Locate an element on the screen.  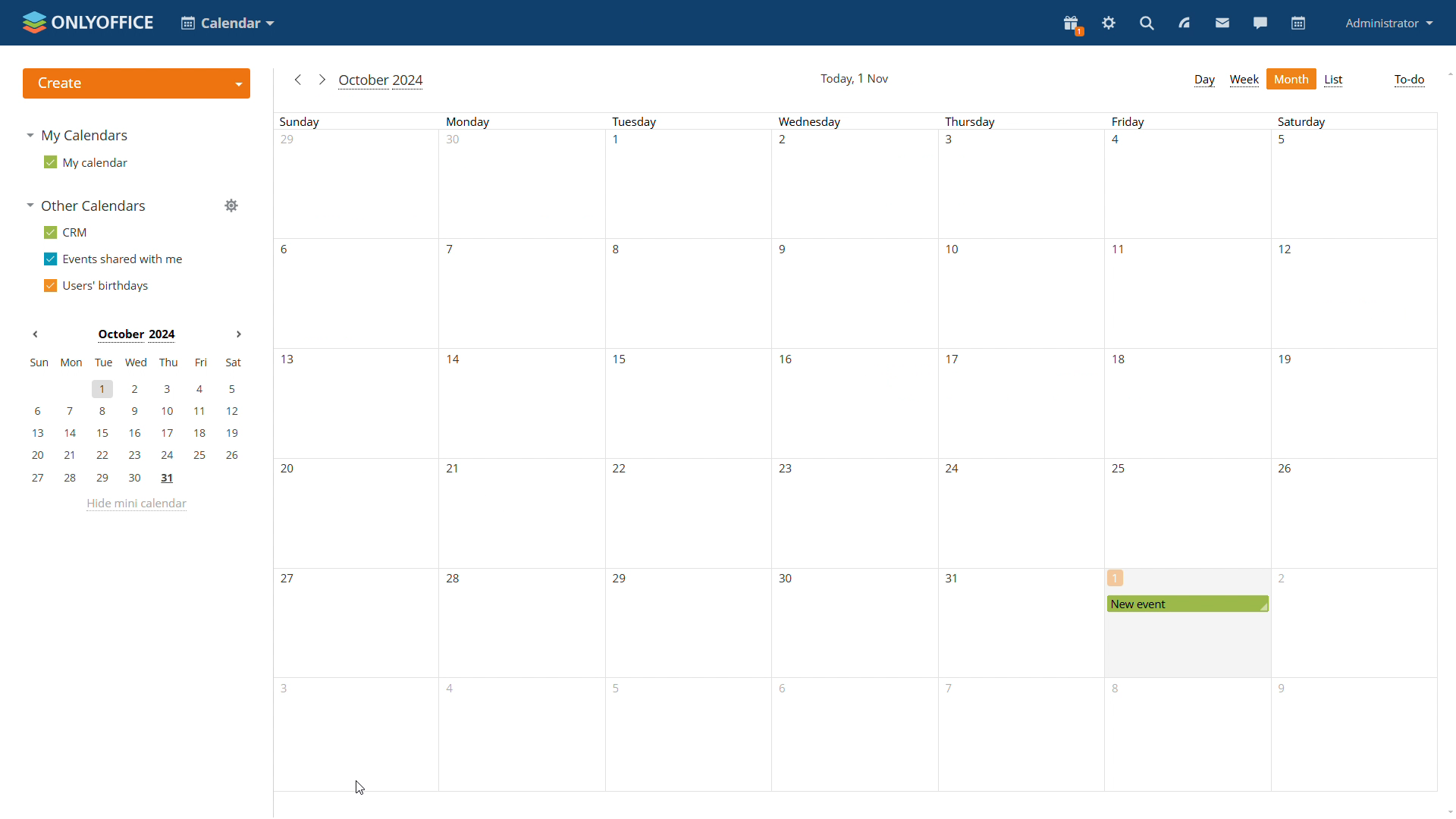
Monday is located at coordinates (526, 452).